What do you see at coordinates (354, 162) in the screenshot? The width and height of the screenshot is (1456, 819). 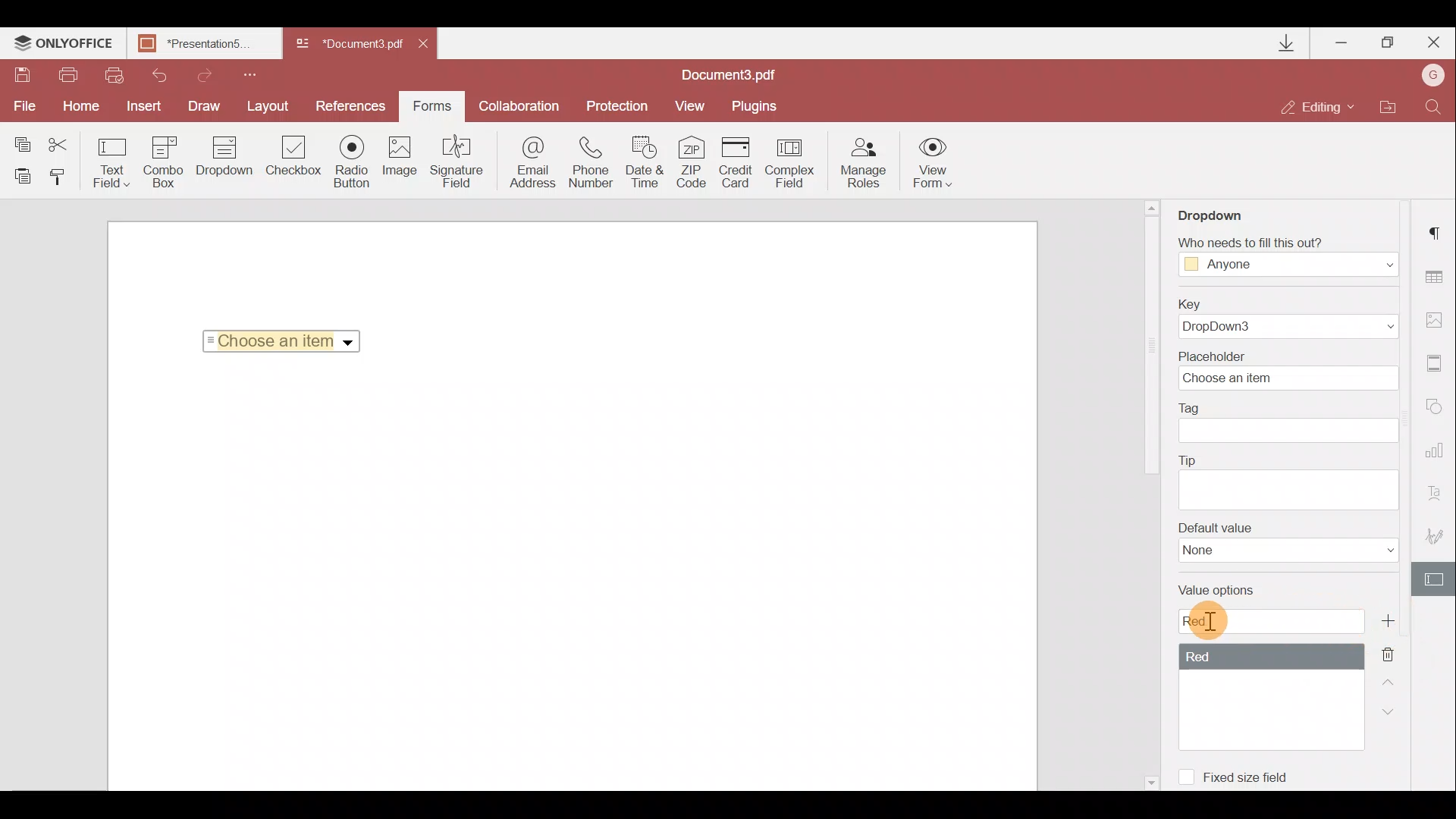 I see `Radio` at bounding box center [354, 162].